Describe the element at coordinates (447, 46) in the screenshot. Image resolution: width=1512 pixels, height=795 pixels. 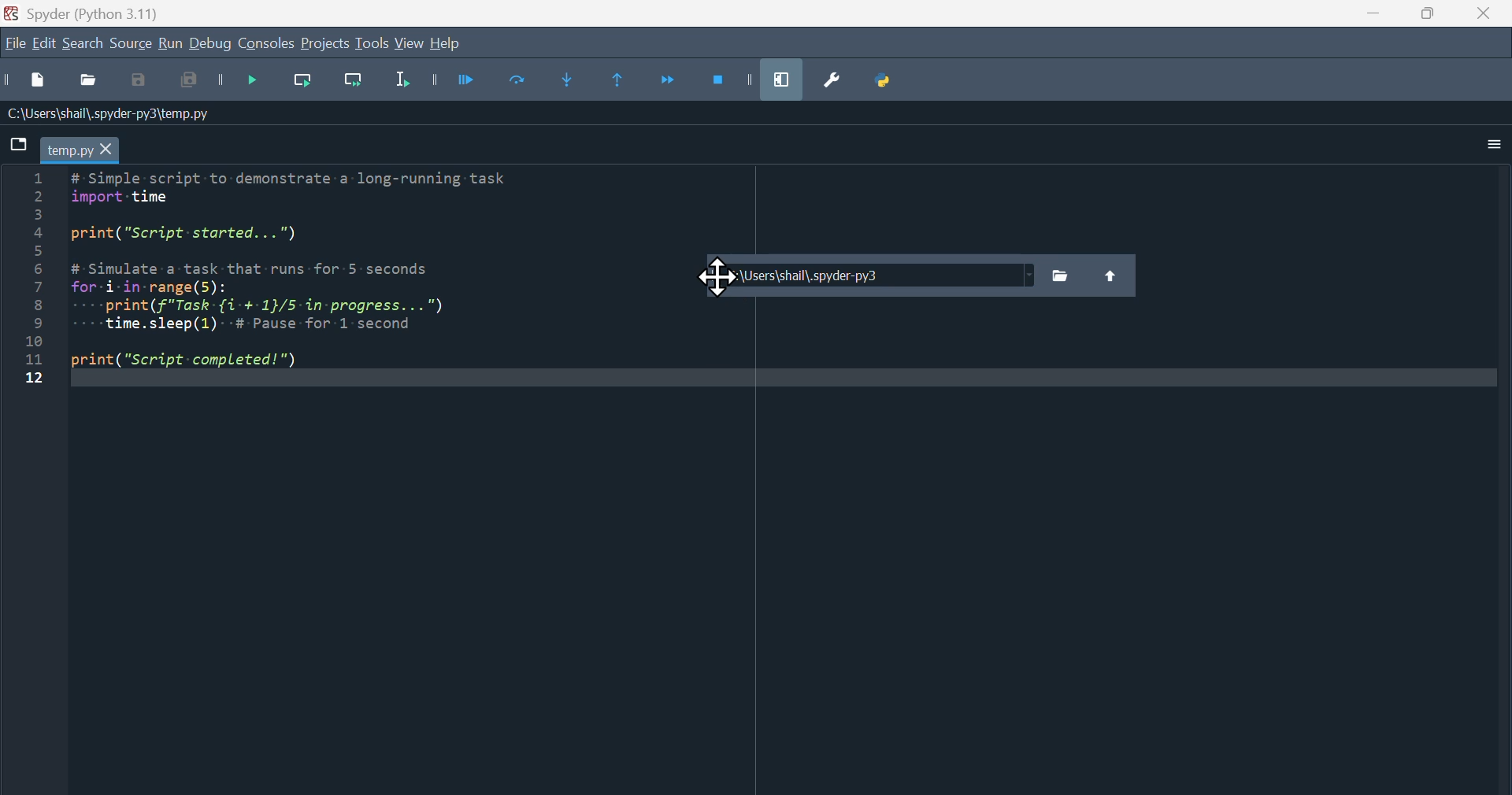
I see `help` at that location.